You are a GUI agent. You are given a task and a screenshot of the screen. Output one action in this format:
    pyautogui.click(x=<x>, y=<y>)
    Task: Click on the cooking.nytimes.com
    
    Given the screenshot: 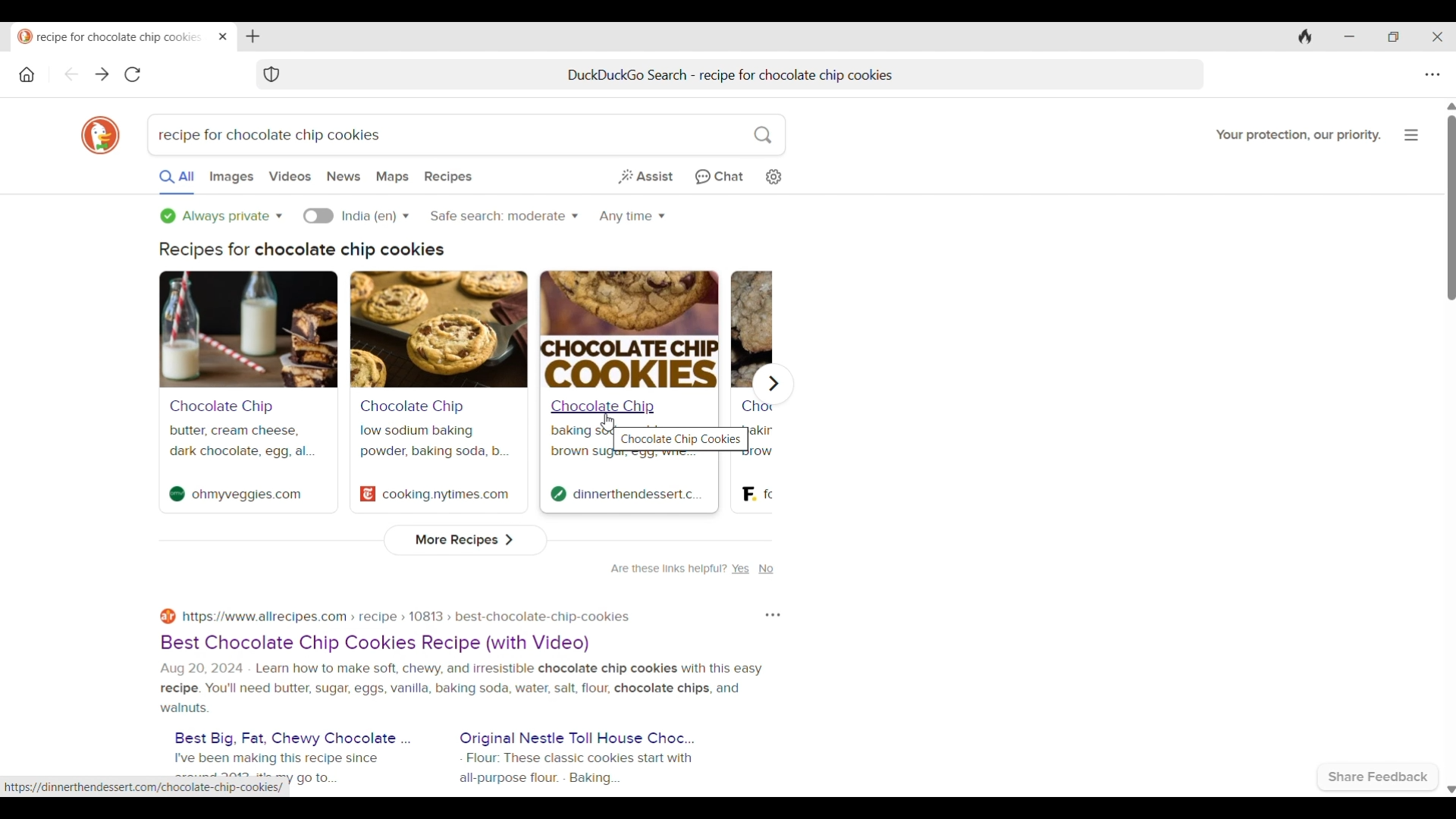 What is the action you would take?
    pyautogui.click(x=445, y=494)
    